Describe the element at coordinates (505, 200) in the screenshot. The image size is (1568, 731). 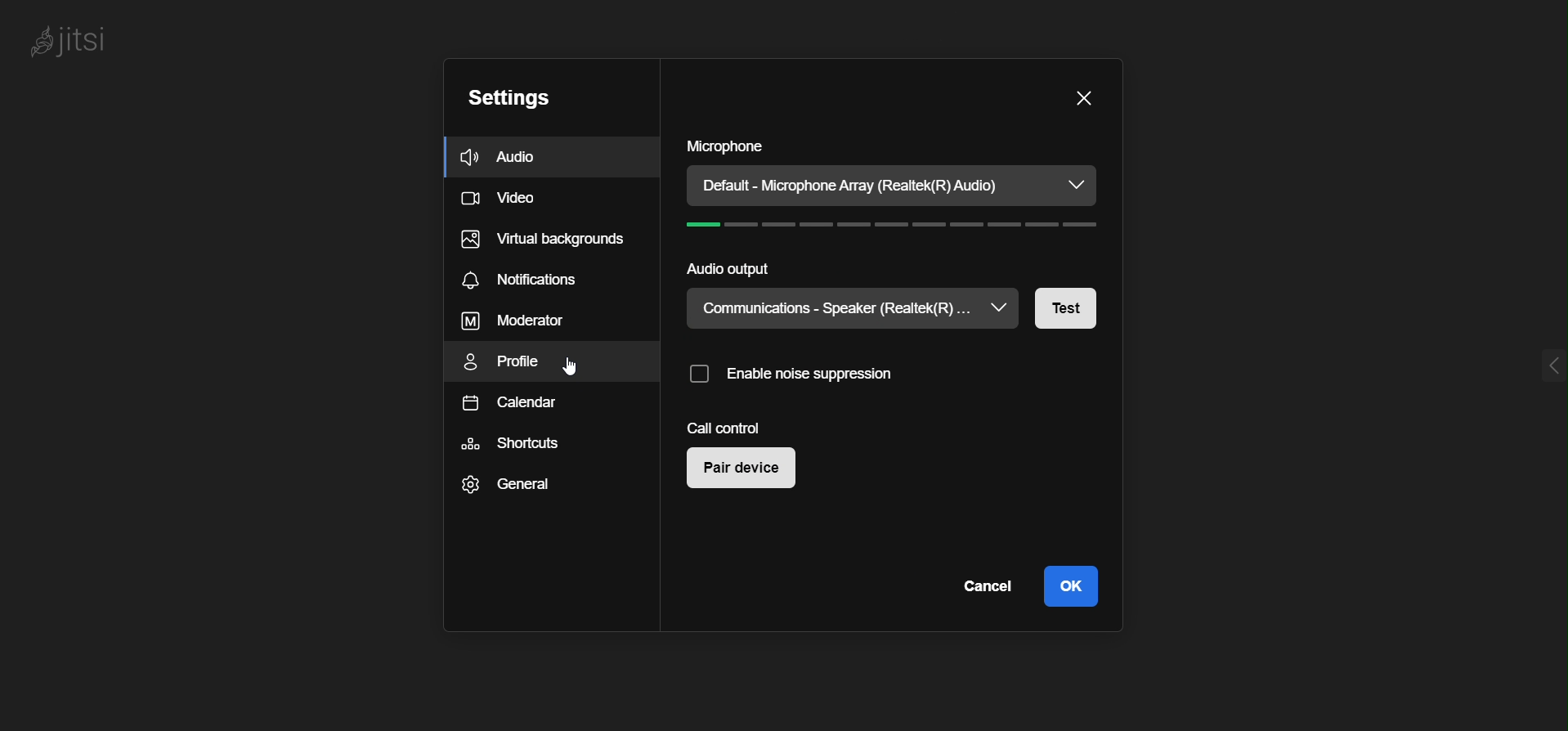
I see `video` at that location.